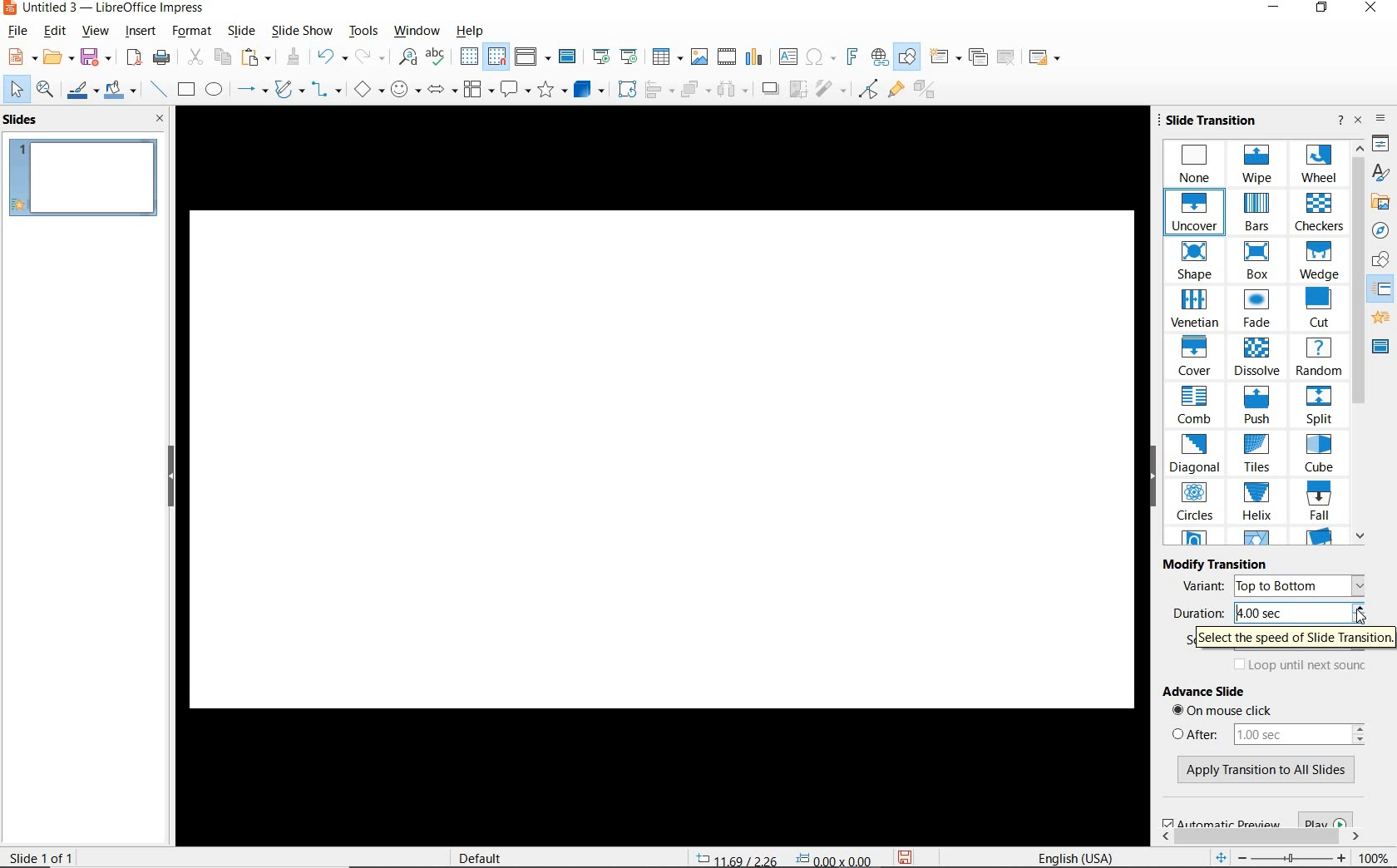 This screenshot has width=1397, height=868. I want to click on UNCOVER, so click(1197, 215).